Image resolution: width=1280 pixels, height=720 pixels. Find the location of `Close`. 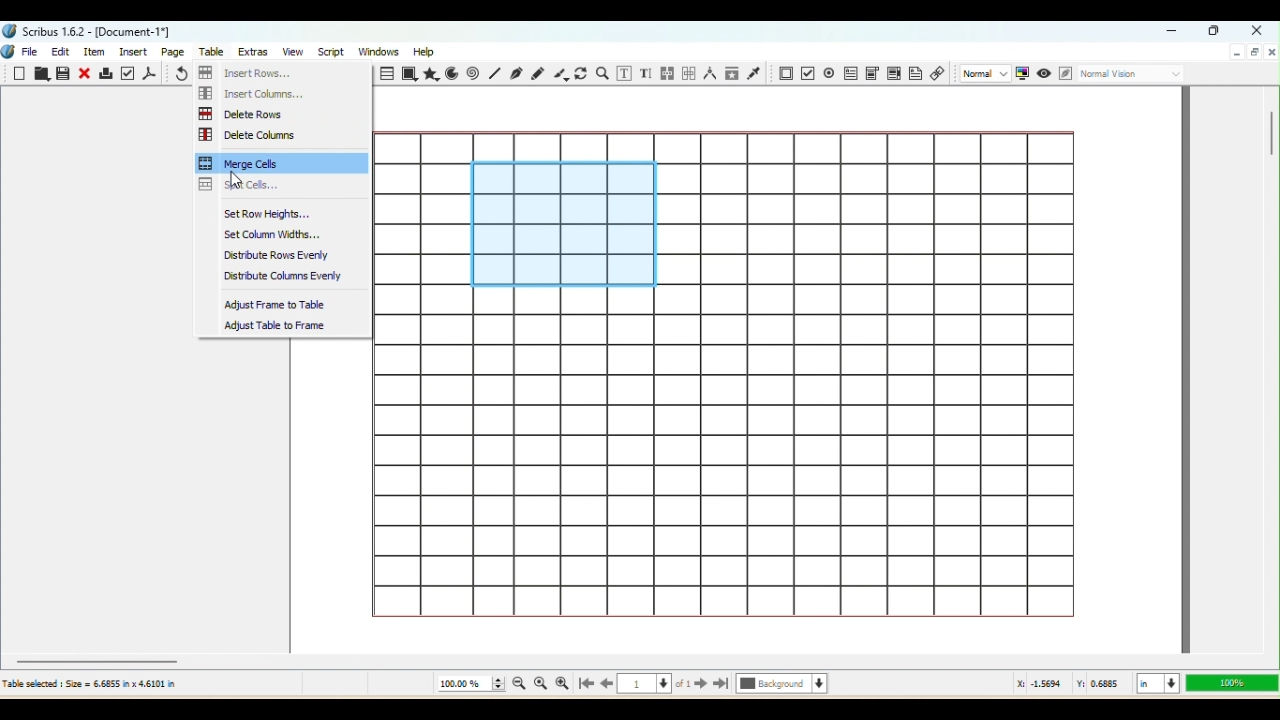

Close is located at coordinates (1254, 29).